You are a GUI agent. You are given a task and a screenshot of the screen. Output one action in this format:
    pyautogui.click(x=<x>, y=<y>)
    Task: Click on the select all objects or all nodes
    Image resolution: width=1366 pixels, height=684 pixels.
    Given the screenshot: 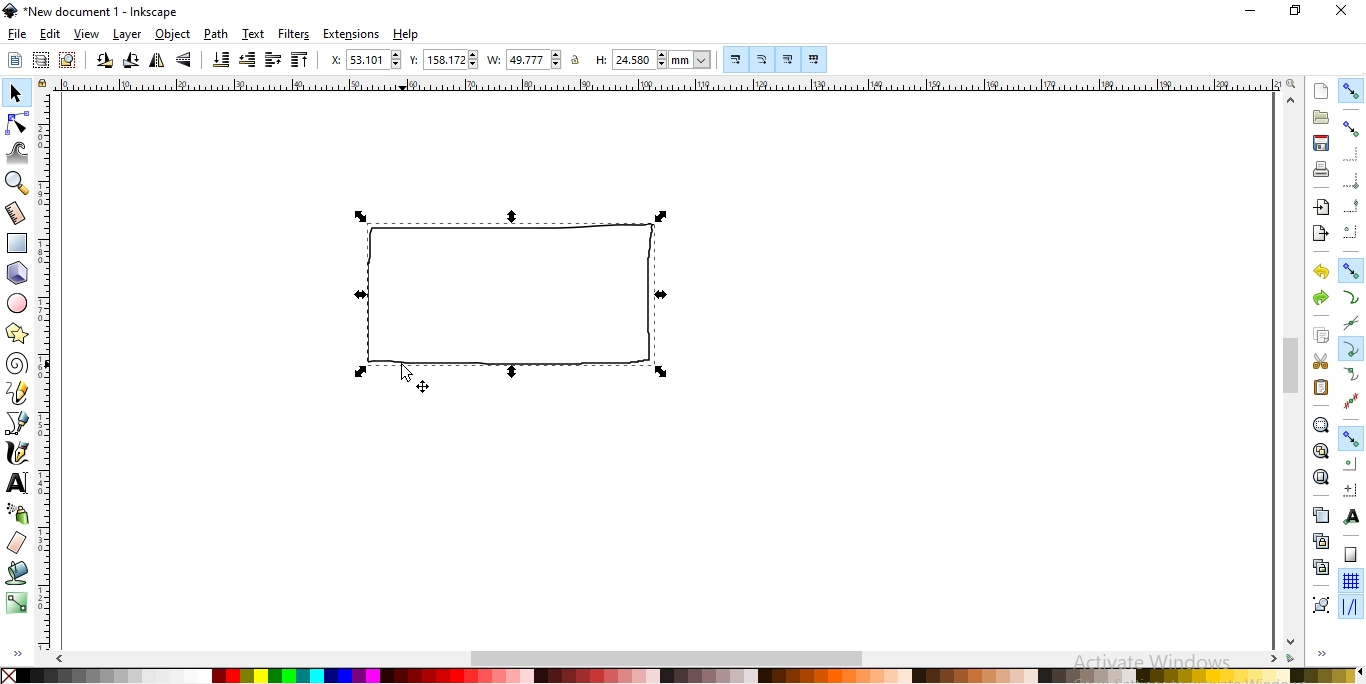 What is the action you would take?
    pyautogui.click(x=14, y=62)
    